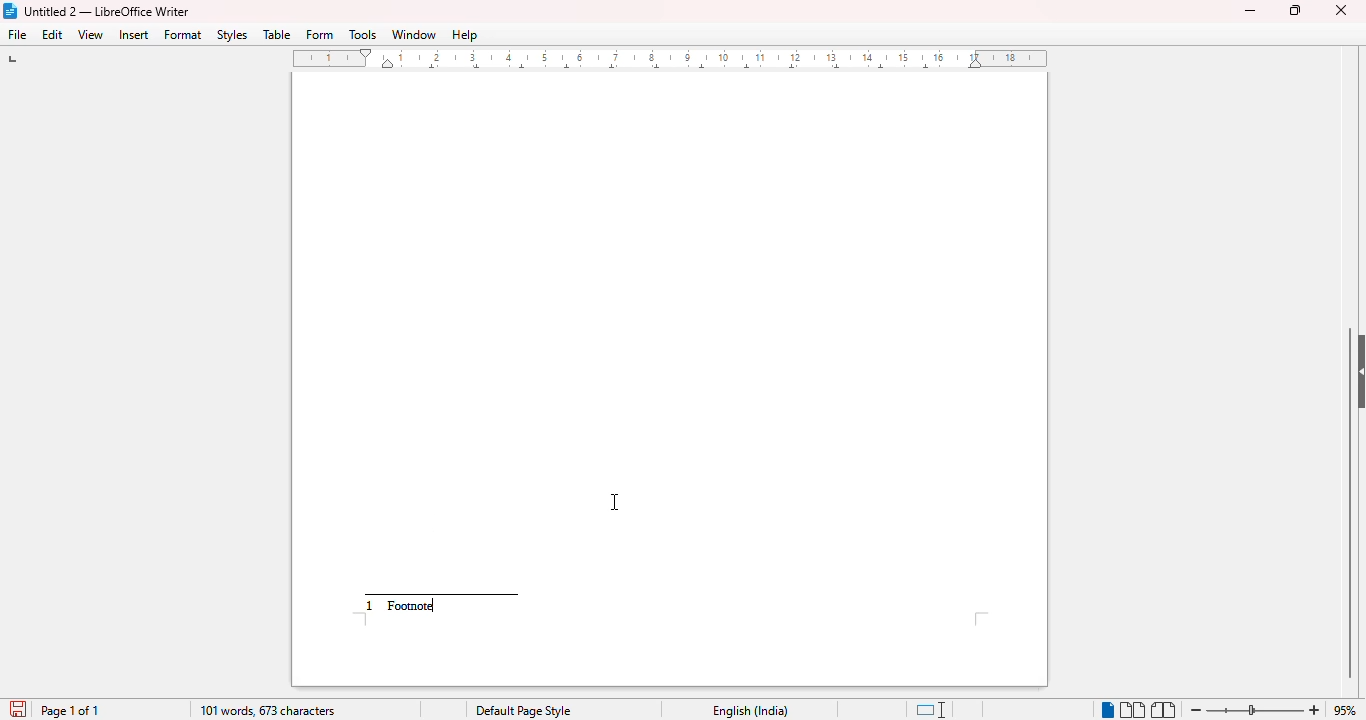 This screenshot has width=1366, height=720. What do you see at coordinates (277, 34) in the screenshot?
I see `table` at bounding box center [277, 34].